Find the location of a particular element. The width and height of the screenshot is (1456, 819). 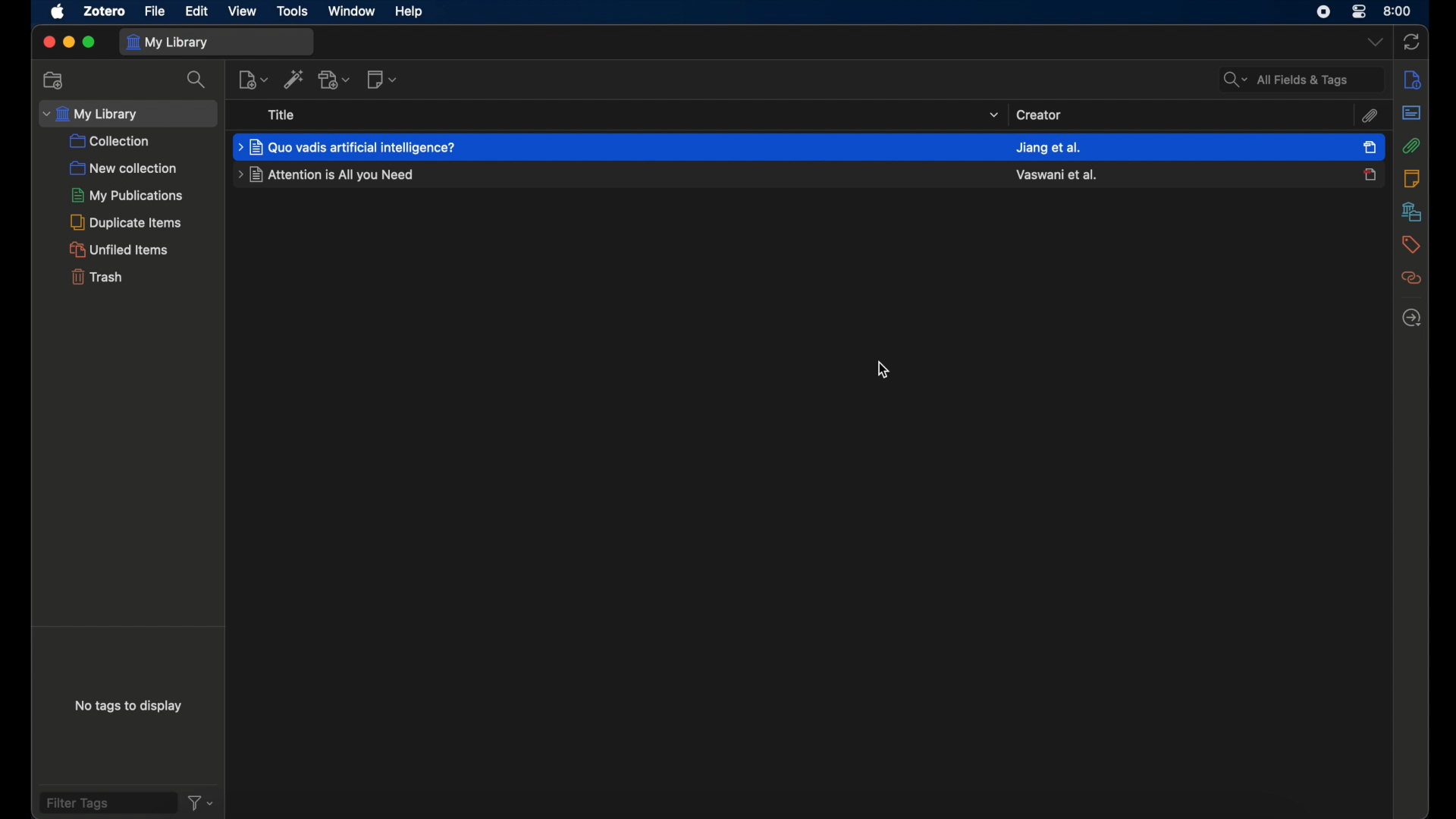

new collection is located at coordinates (123, 168).